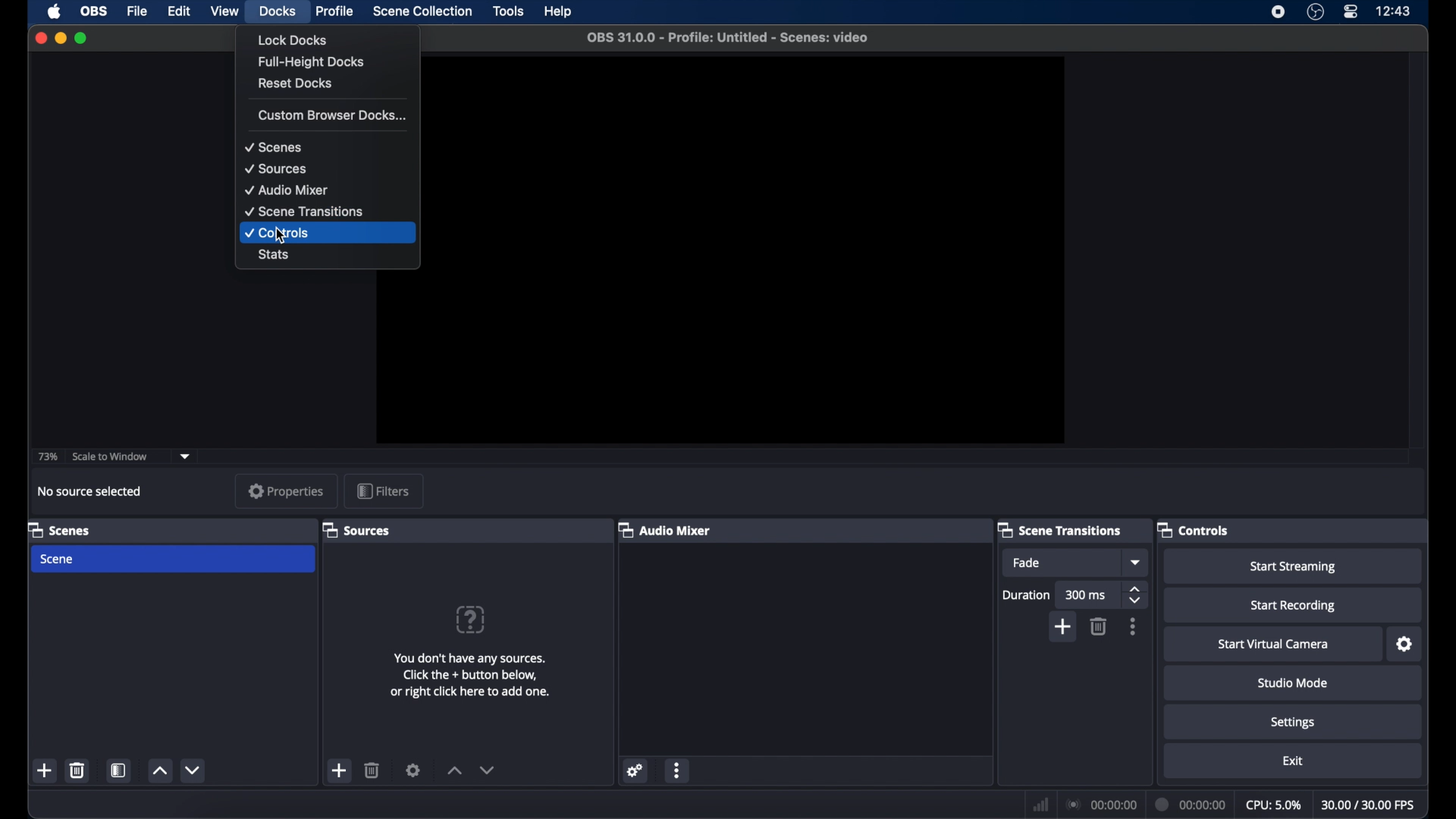  I want to click on settings, so click(635, 770).